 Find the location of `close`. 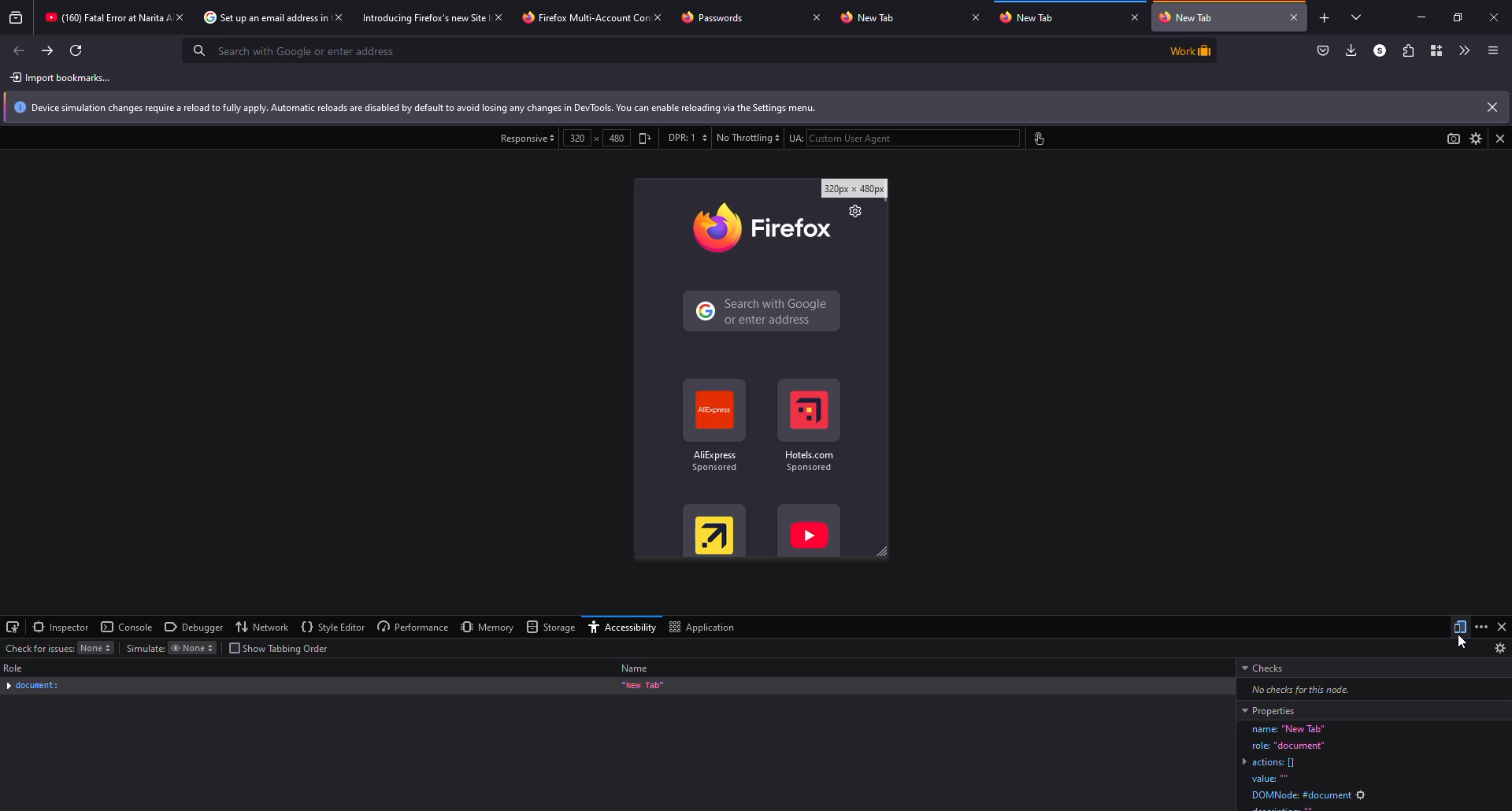

close is located at coordinates (1295, 17).